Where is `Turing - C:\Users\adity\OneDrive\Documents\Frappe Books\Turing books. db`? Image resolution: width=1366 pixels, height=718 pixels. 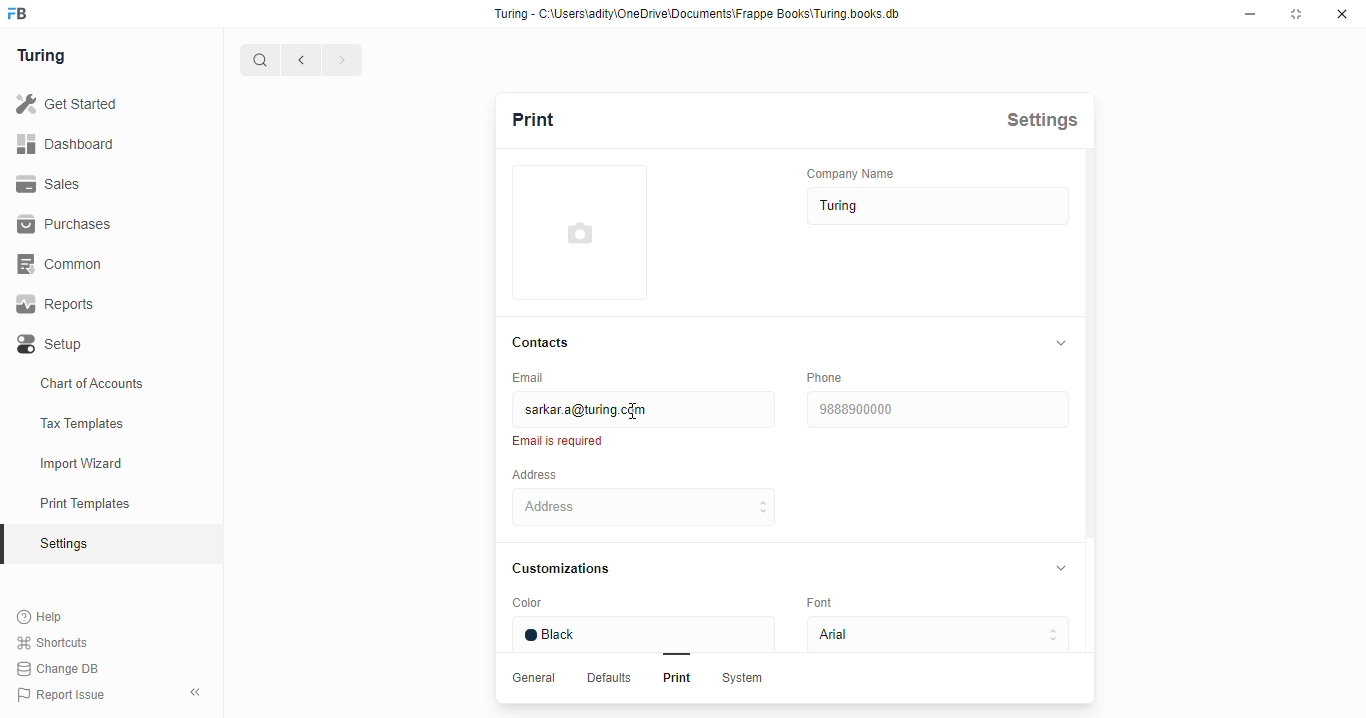 Turing - C:\Users\adity\OneDrive\Documents\Frappe Books\Turing books. db is located at coordinates (702, 14).